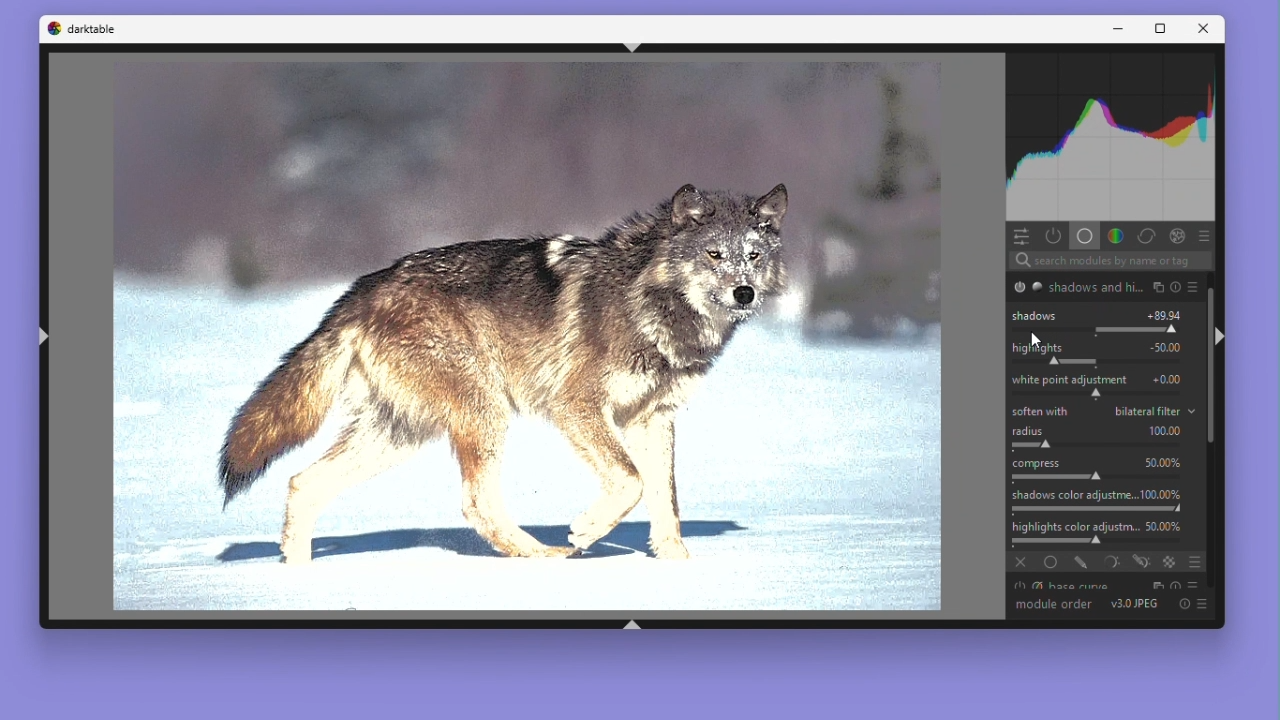 Image resolution: width=1280 pixels, height=720 pixels. Describe the element at coordinates (1034, 316) in the screenshot. I see `Shadows` at that location.